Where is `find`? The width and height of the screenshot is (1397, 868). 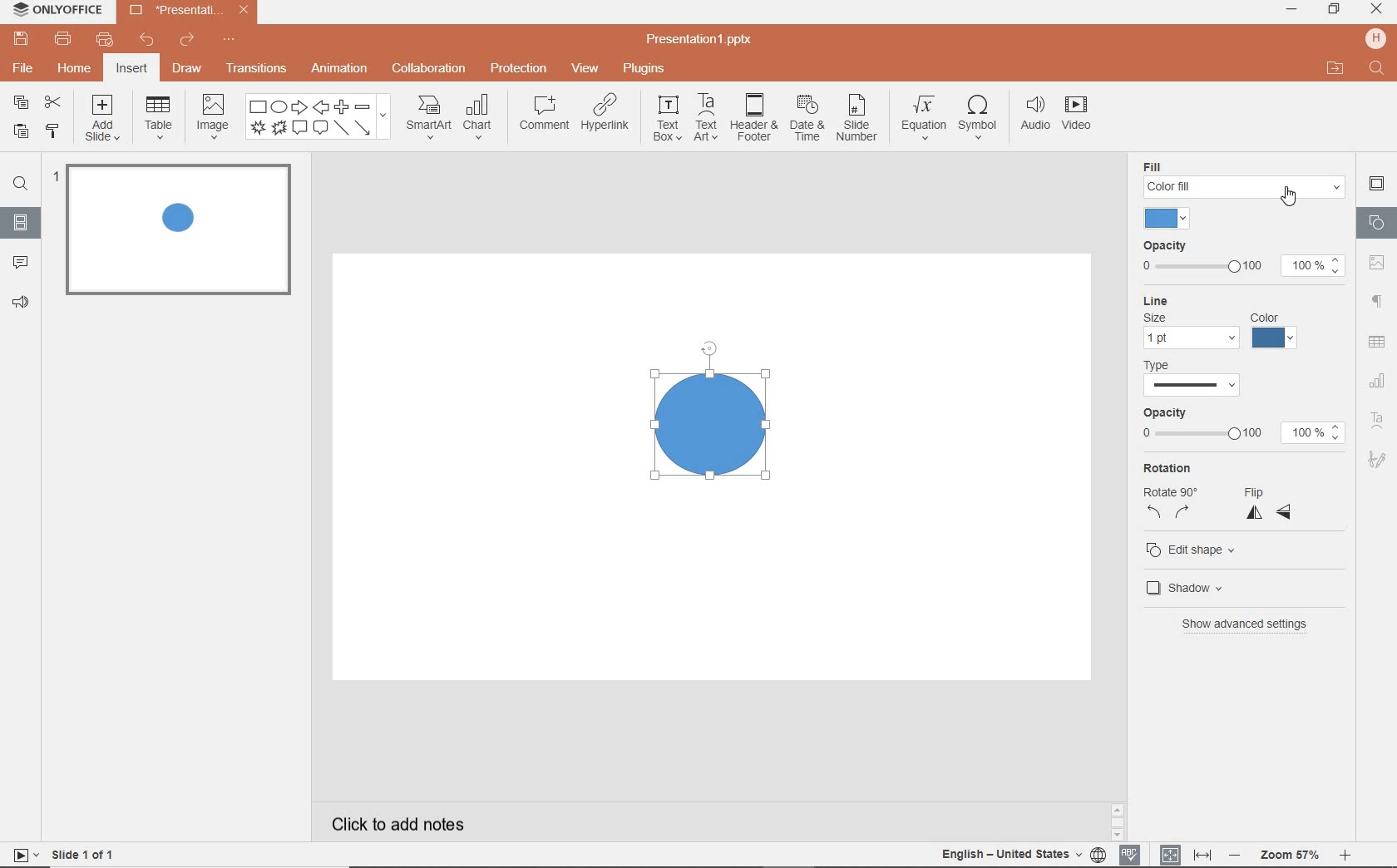
find is located at coordinates (20, 182).